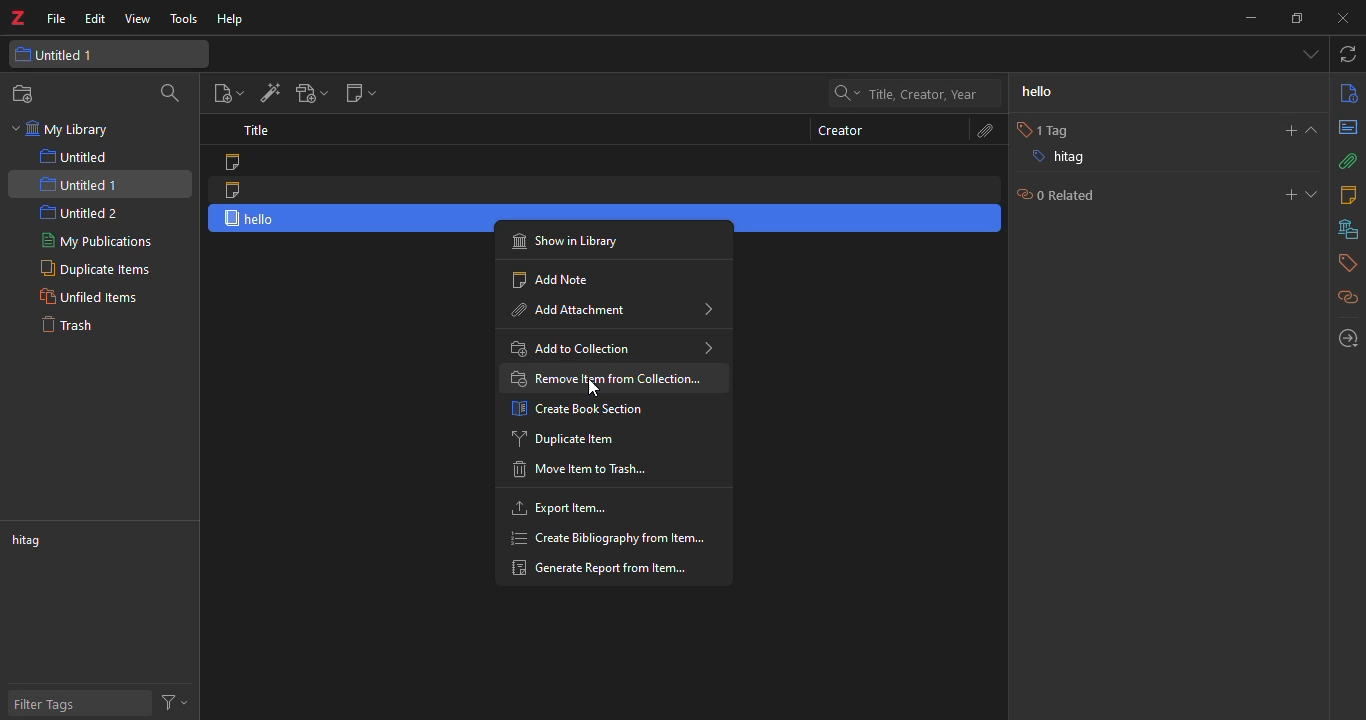  I want to click on generate report from item, so click(599, 570).